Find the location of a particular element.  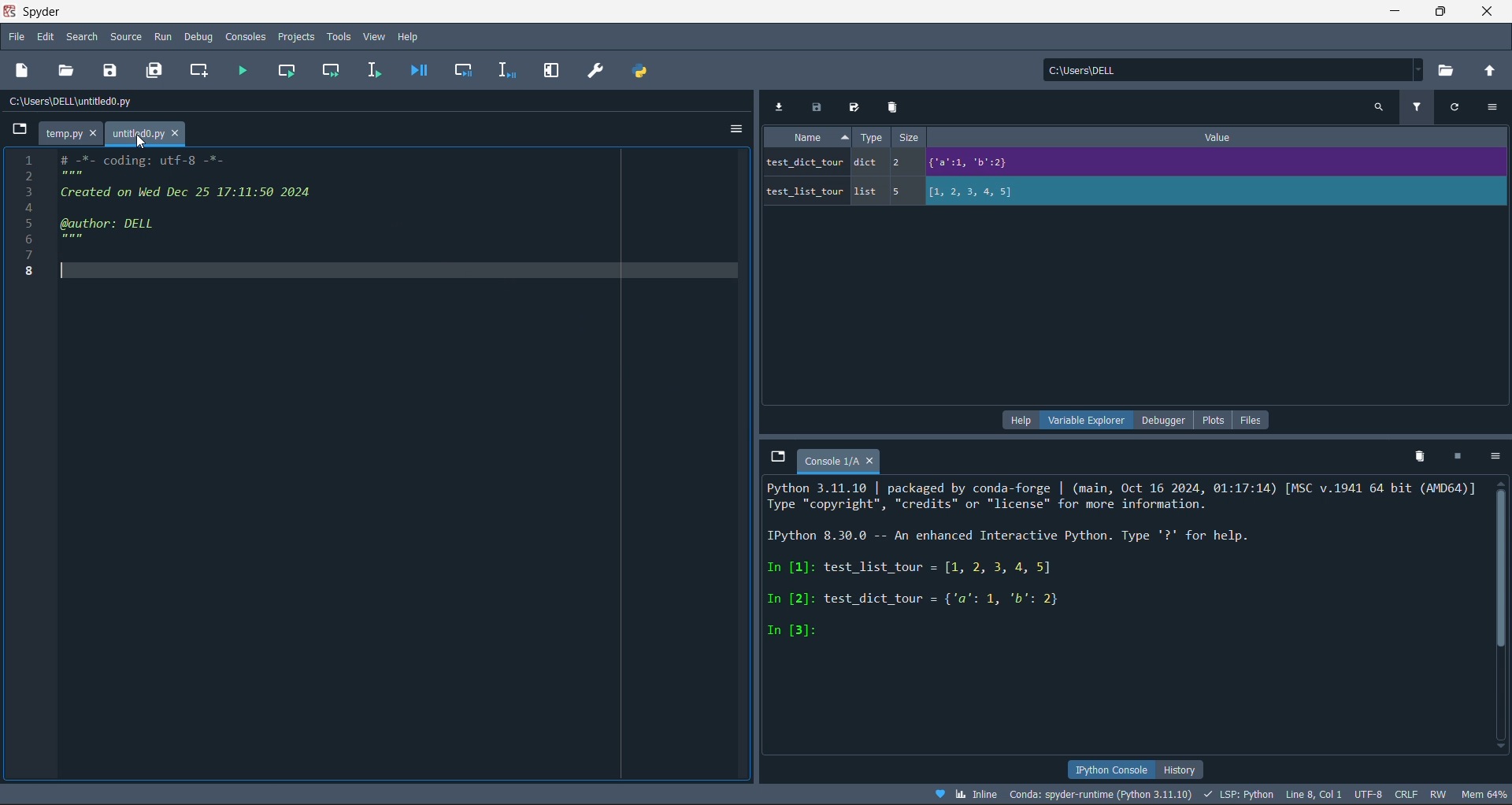

history pane options is located at coordinates (1188, 769).